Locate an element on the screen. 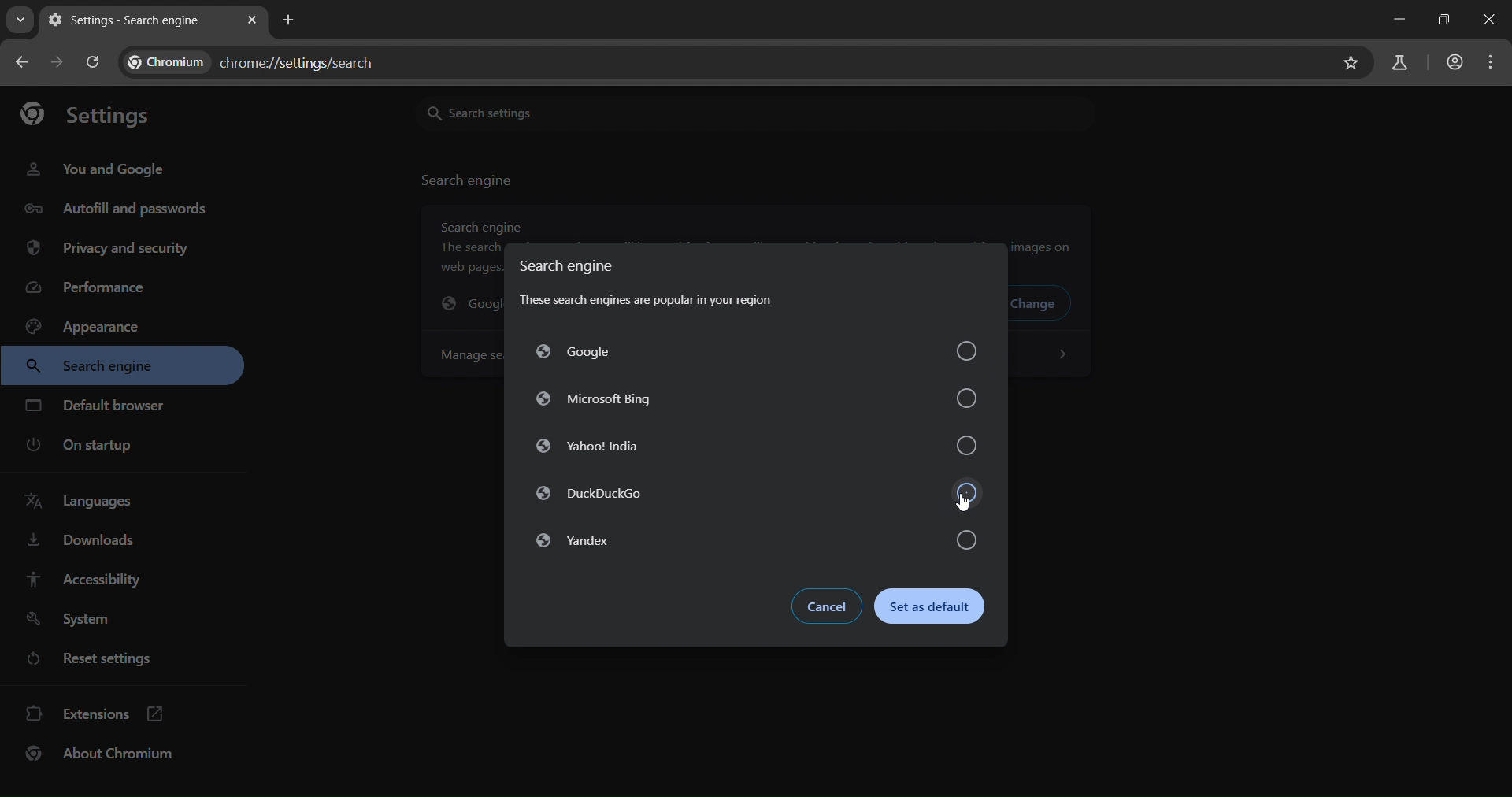  cursor is located at coordinates (963, 500).